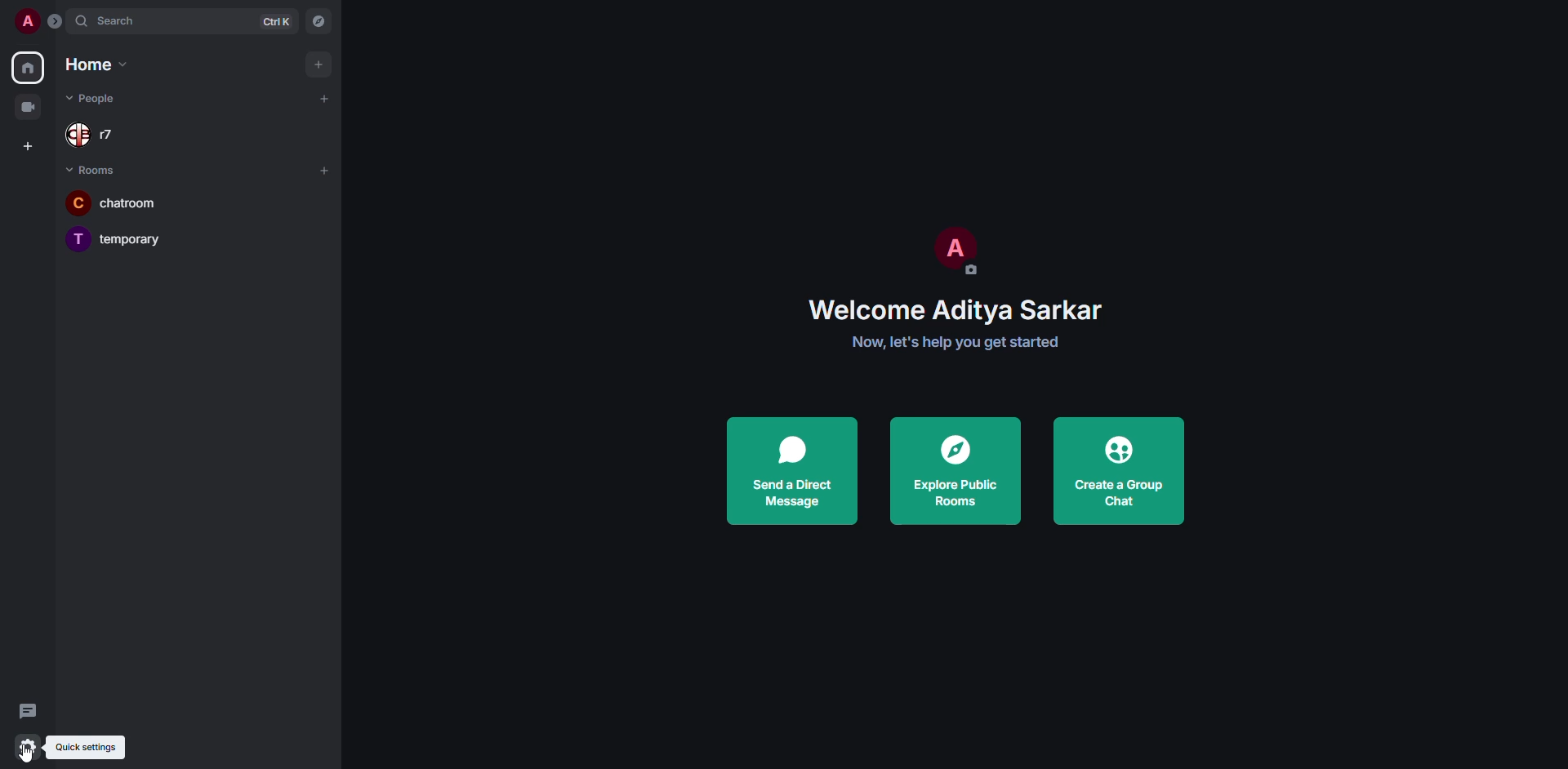 The width and height of the screenshot is (1568, 769). Describe the element at coordinates (961, 343) in the screenshot. I see `get started` at that location.